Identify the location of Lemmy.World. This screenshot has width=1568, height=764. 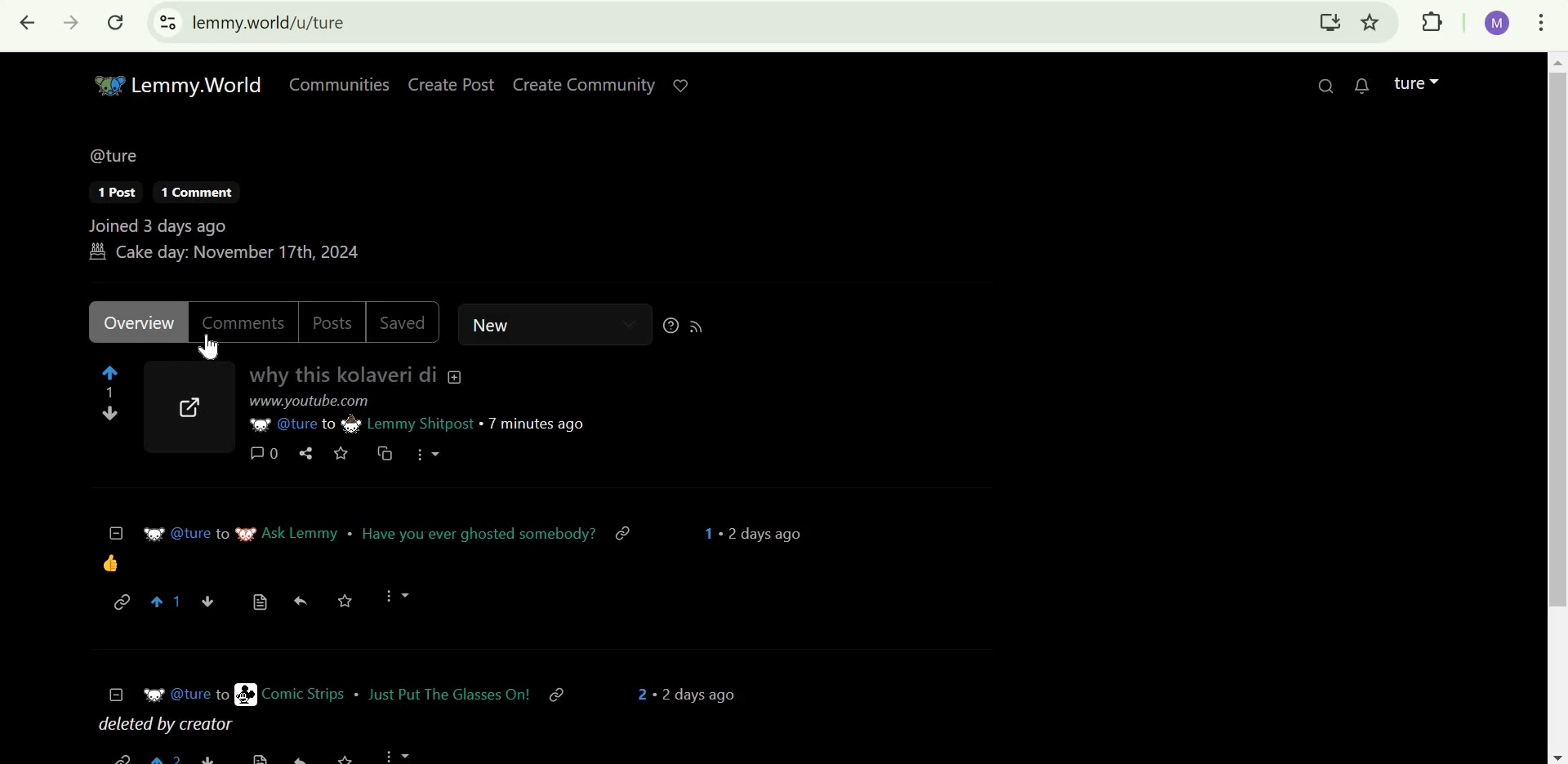
(180, 83).